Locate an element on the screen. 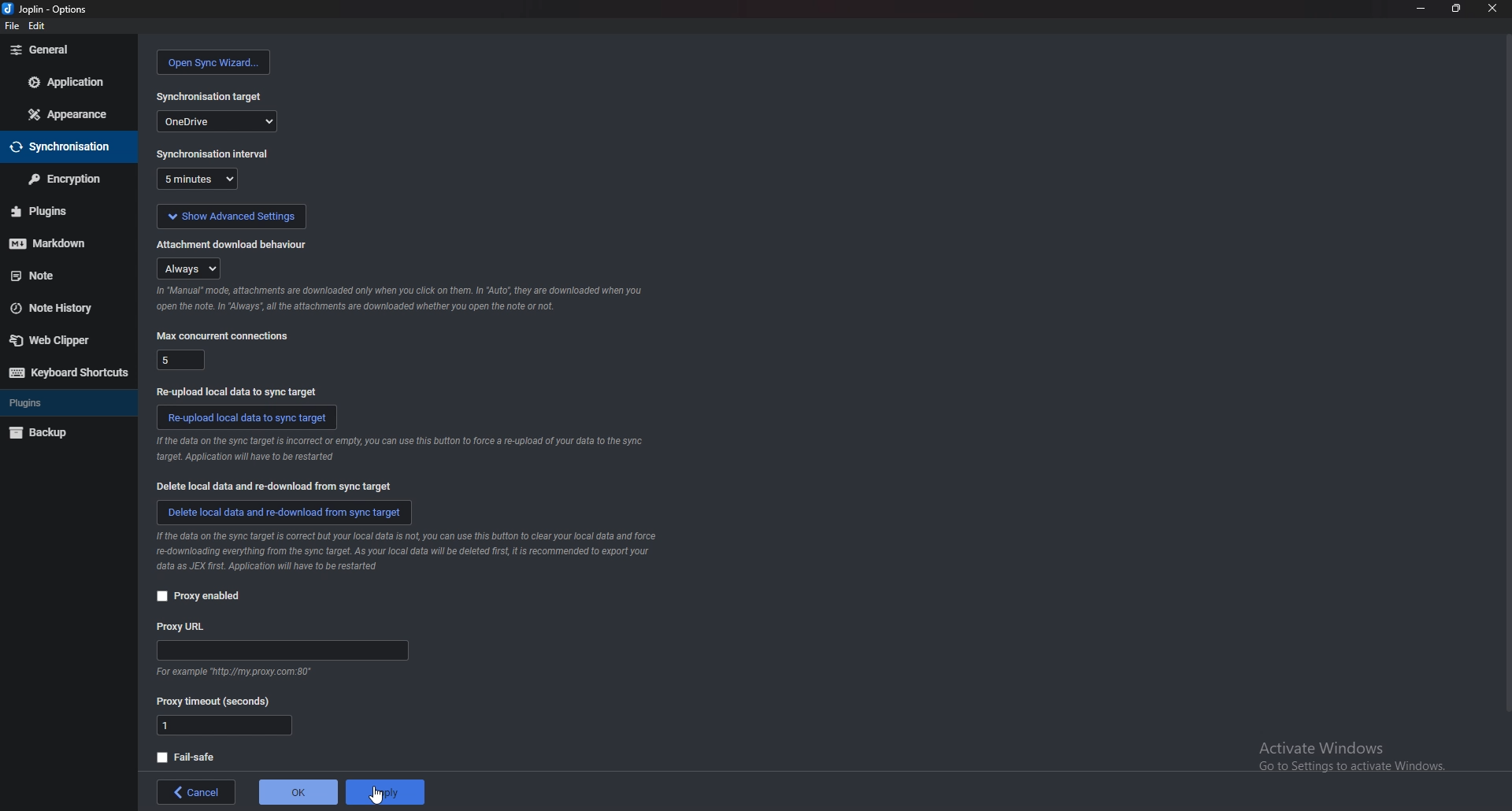  web clipper is located at coordinates (63, 340).